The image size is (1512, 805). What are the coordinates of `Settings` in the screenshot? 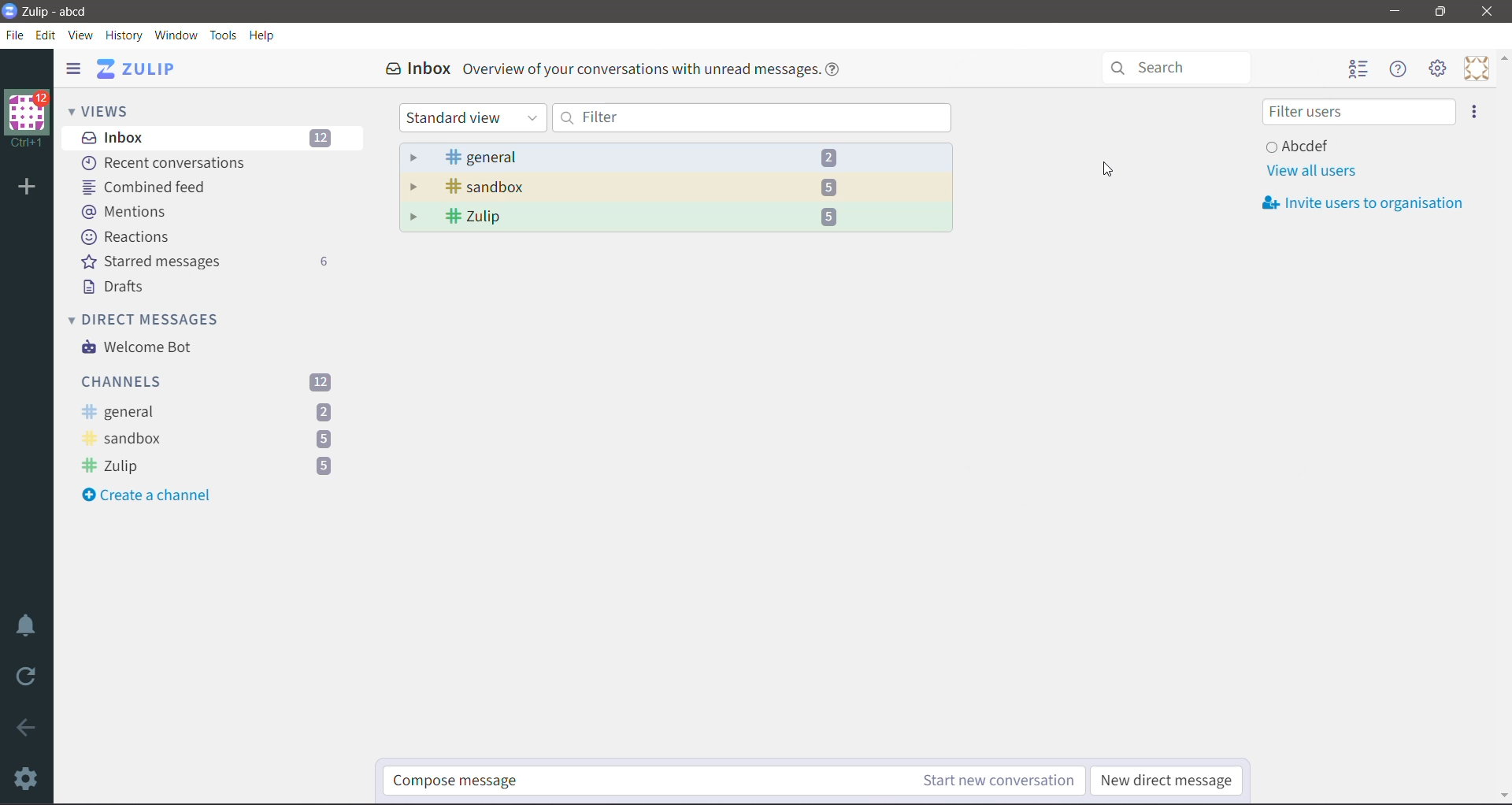 It's located at (28, 780).